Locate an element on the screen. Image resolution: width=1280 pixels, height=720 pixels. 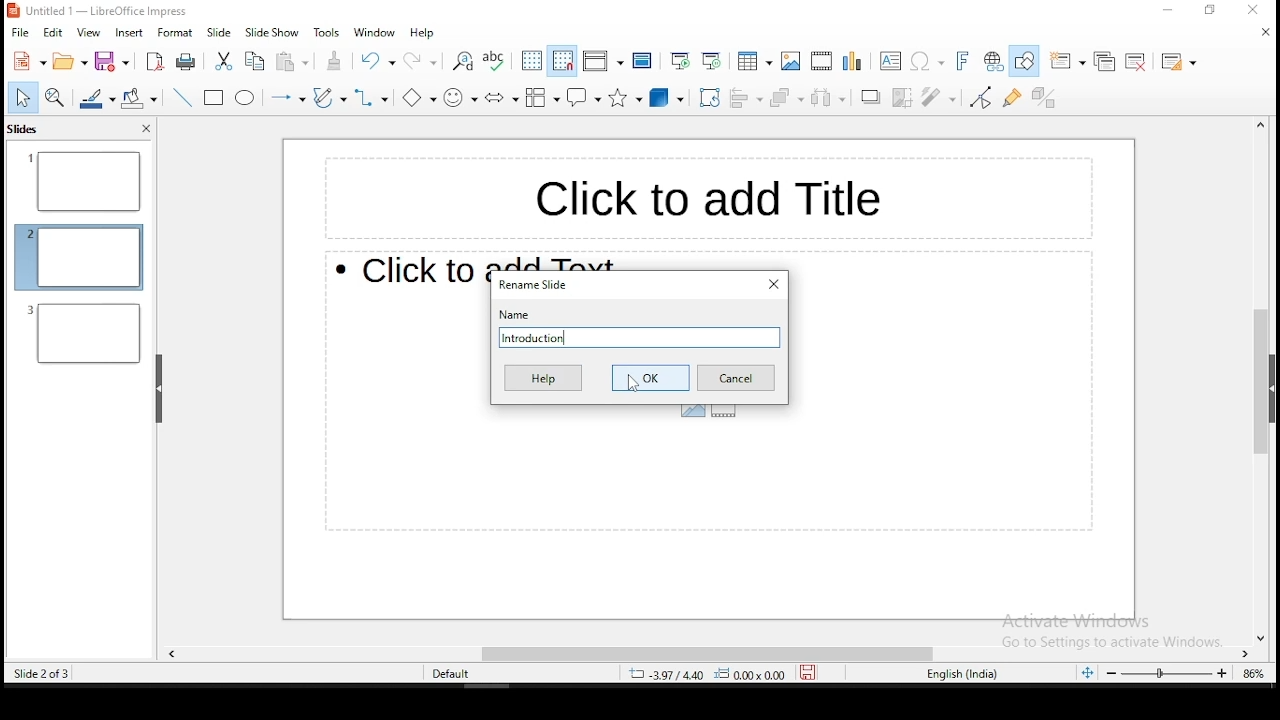
cut is located at coordinates (224, 60).